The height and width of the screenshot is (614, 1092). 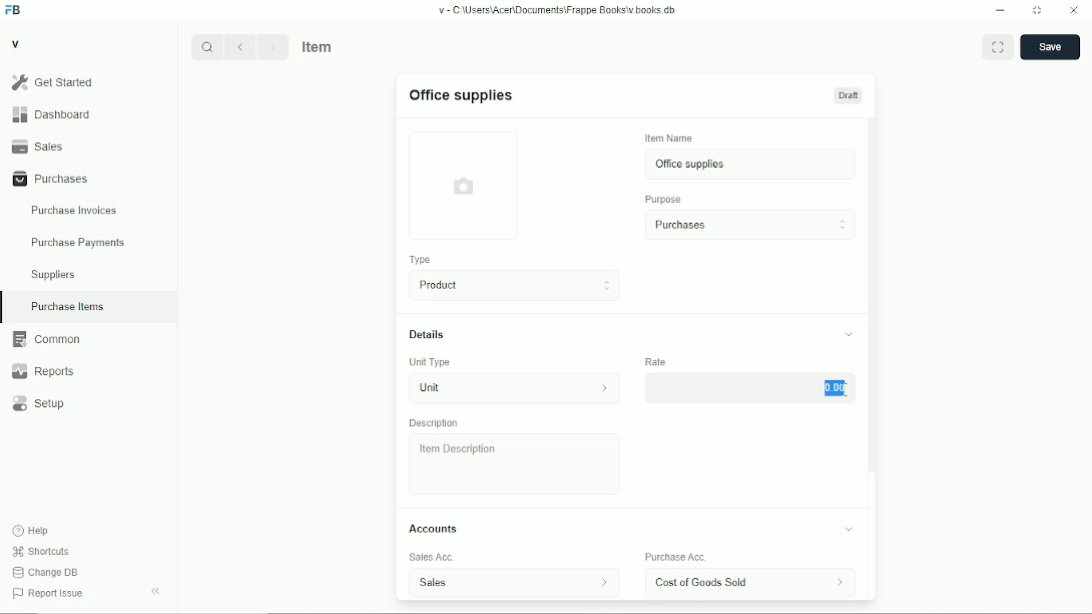 I want to click on unit, so click(x=490, y=388).